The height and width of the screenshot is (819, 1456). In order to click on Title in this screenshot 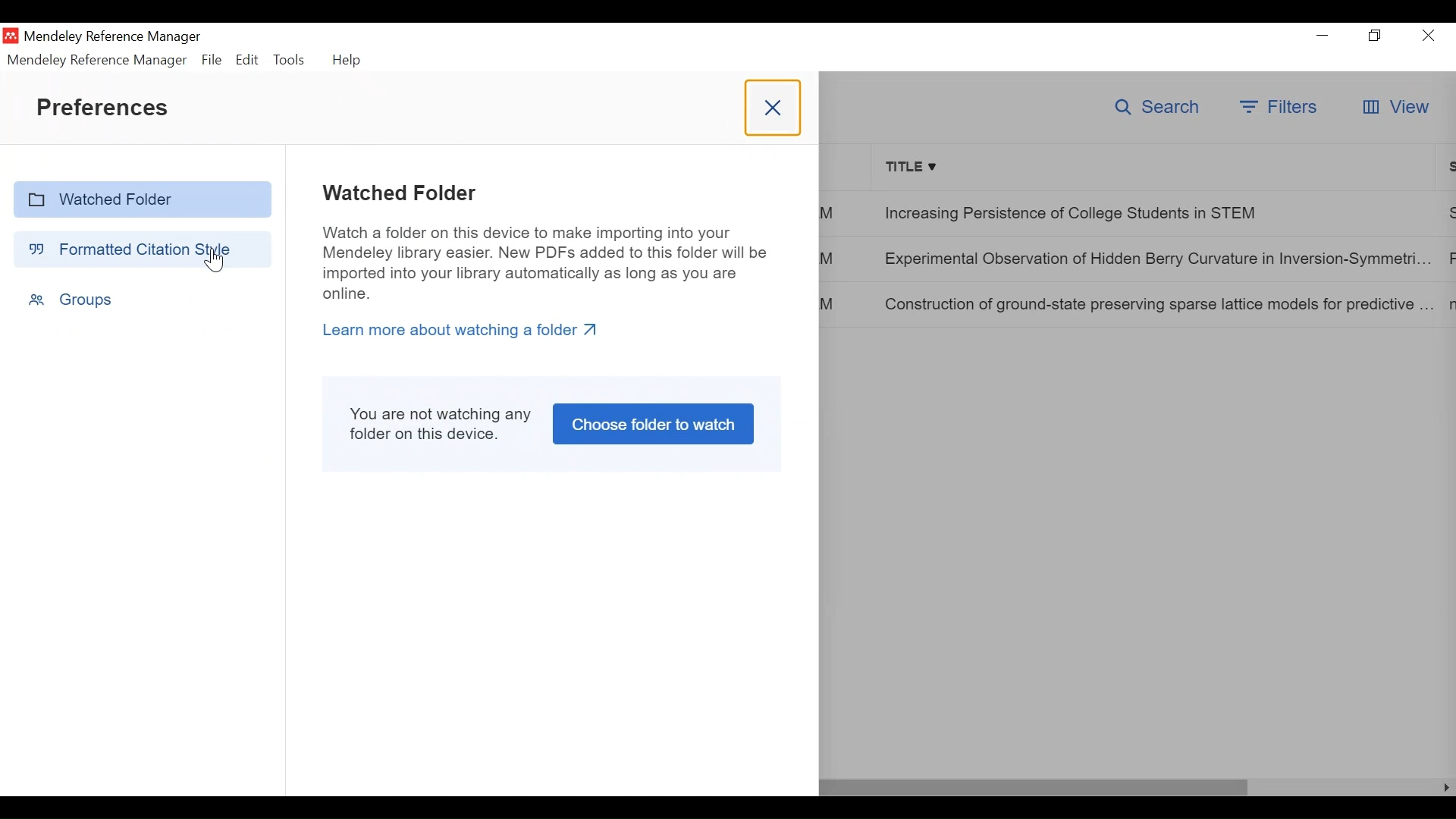, I will do `click(1154, 166)`.